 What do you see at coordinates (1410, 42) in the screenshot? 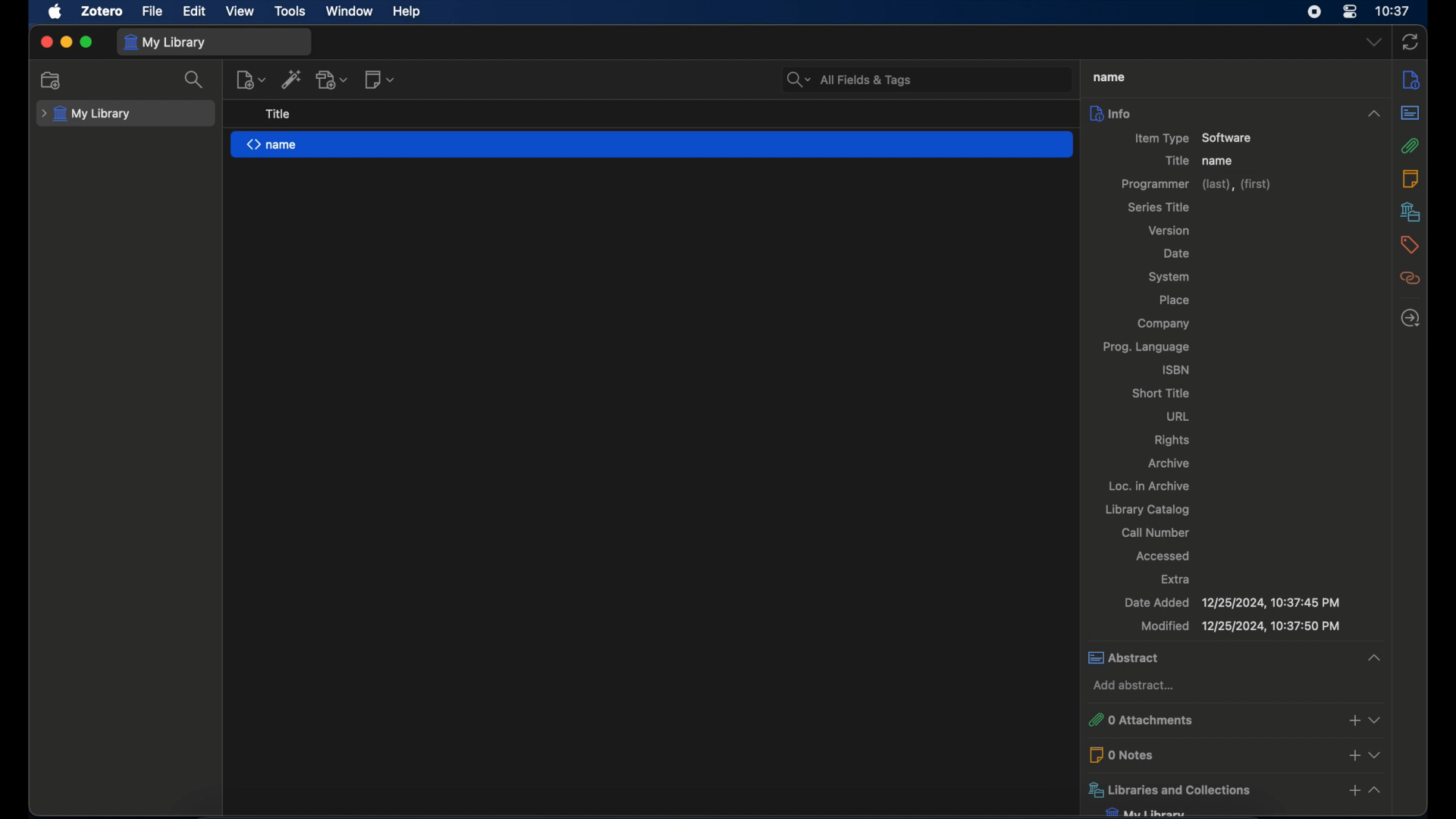
I see `sync` at bounding box center [1410, 42].